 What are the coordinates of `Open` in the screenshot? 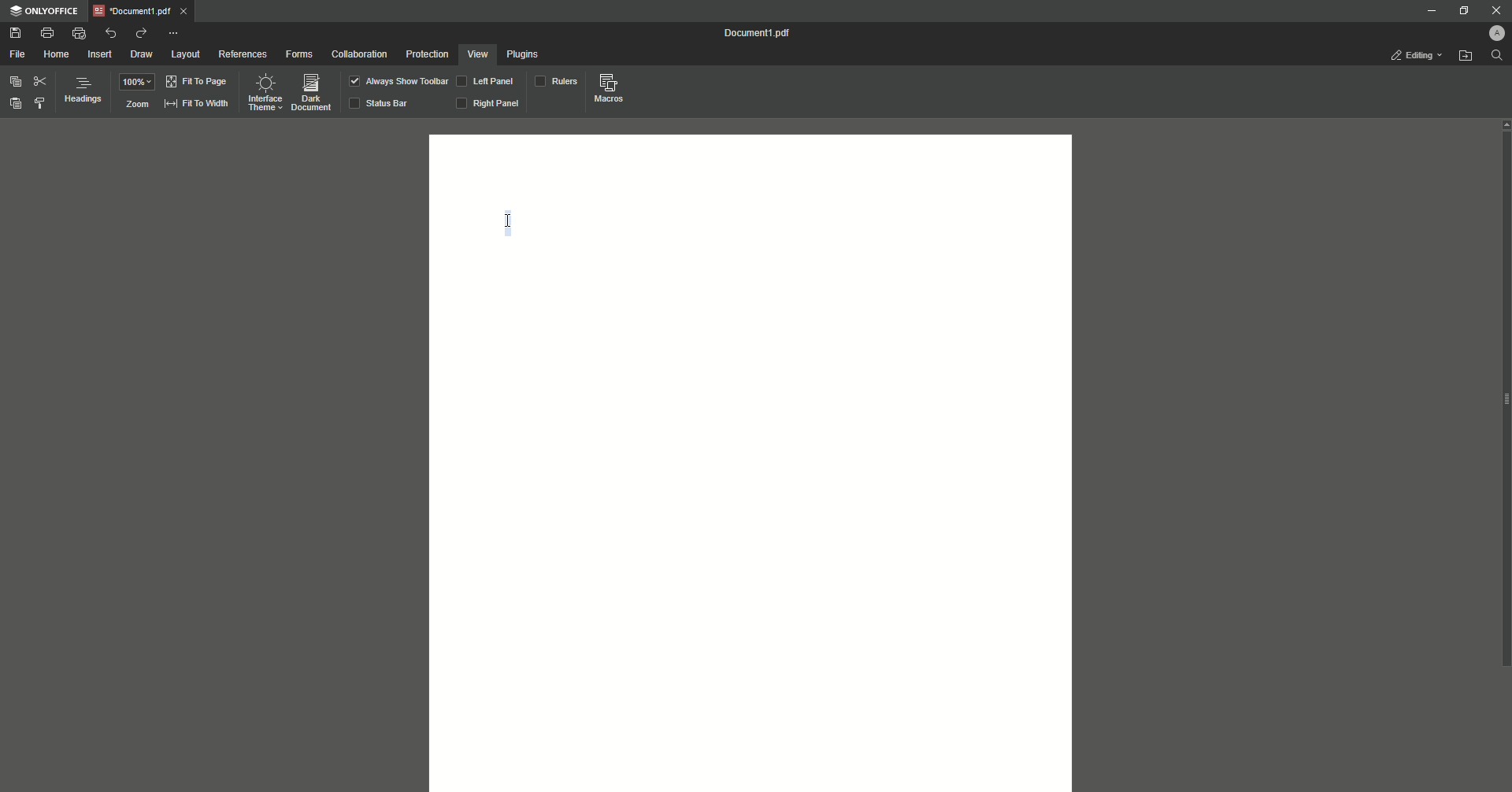 It's located at (1466, 57).